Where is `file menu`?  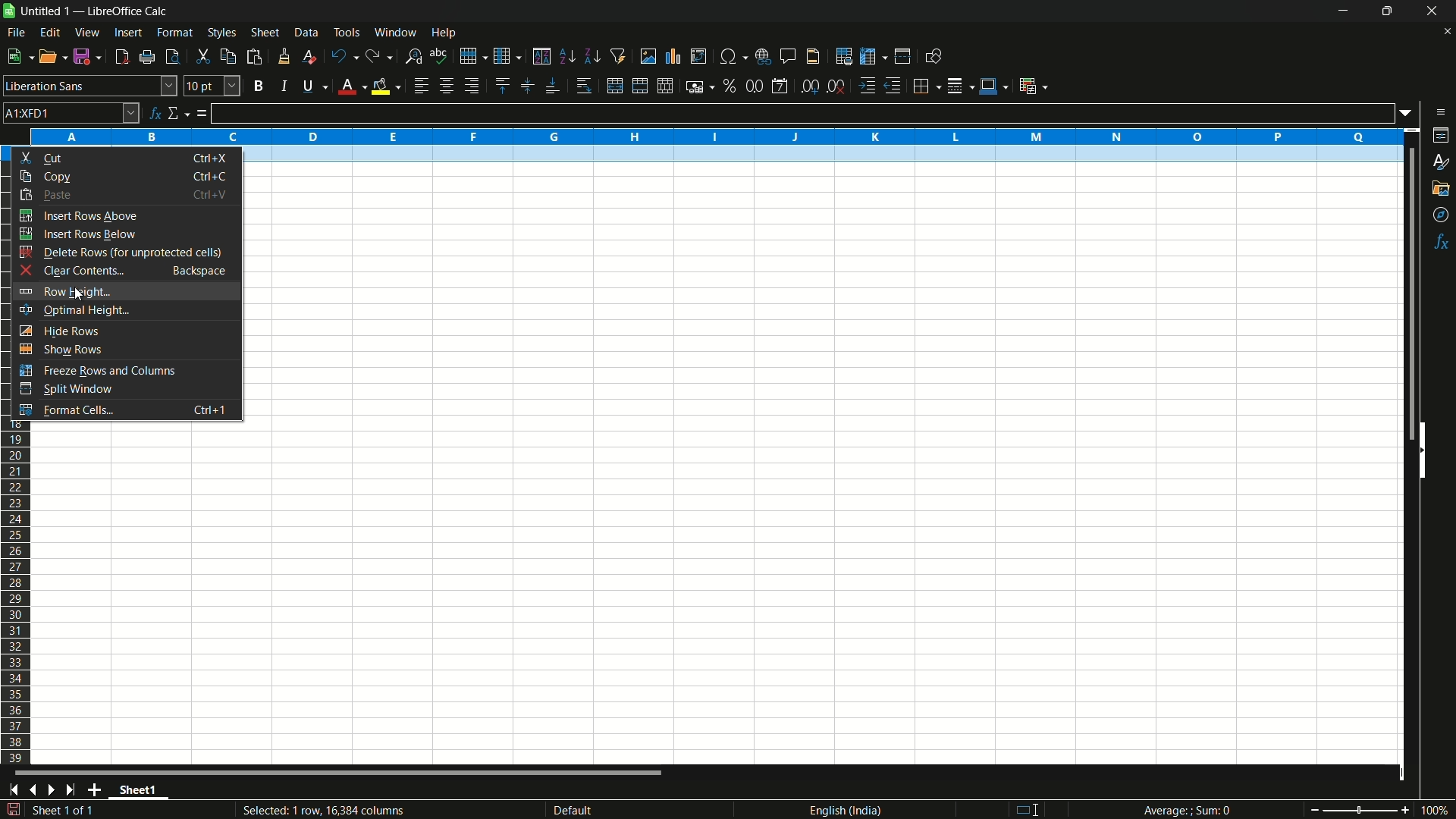
file menu is located at coordinates (16, 33).